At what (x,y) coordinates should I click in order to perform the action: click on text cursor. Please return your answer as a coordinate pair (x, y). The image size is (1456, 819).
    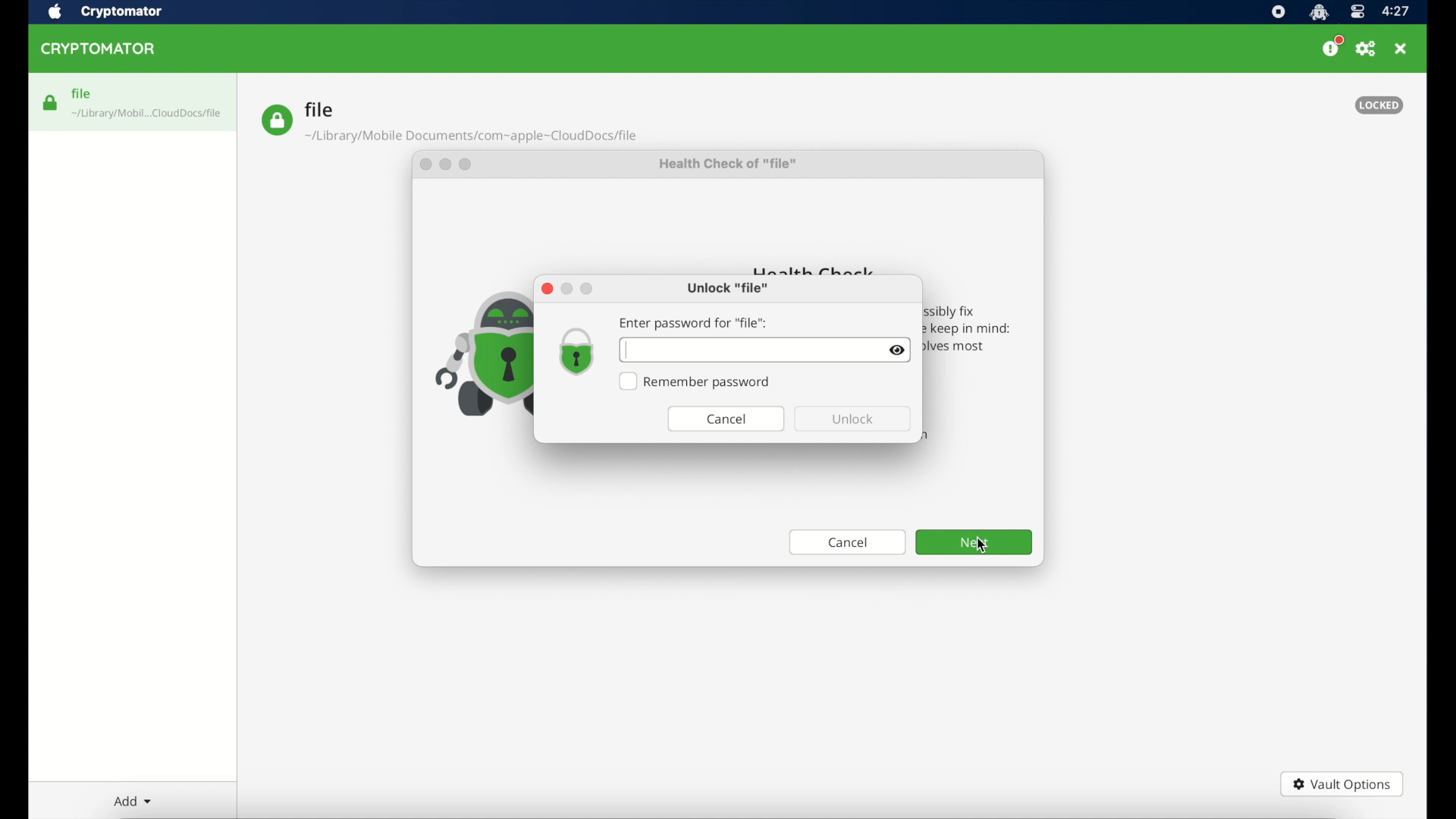
    Looking at the image, I should click on (627, 350).